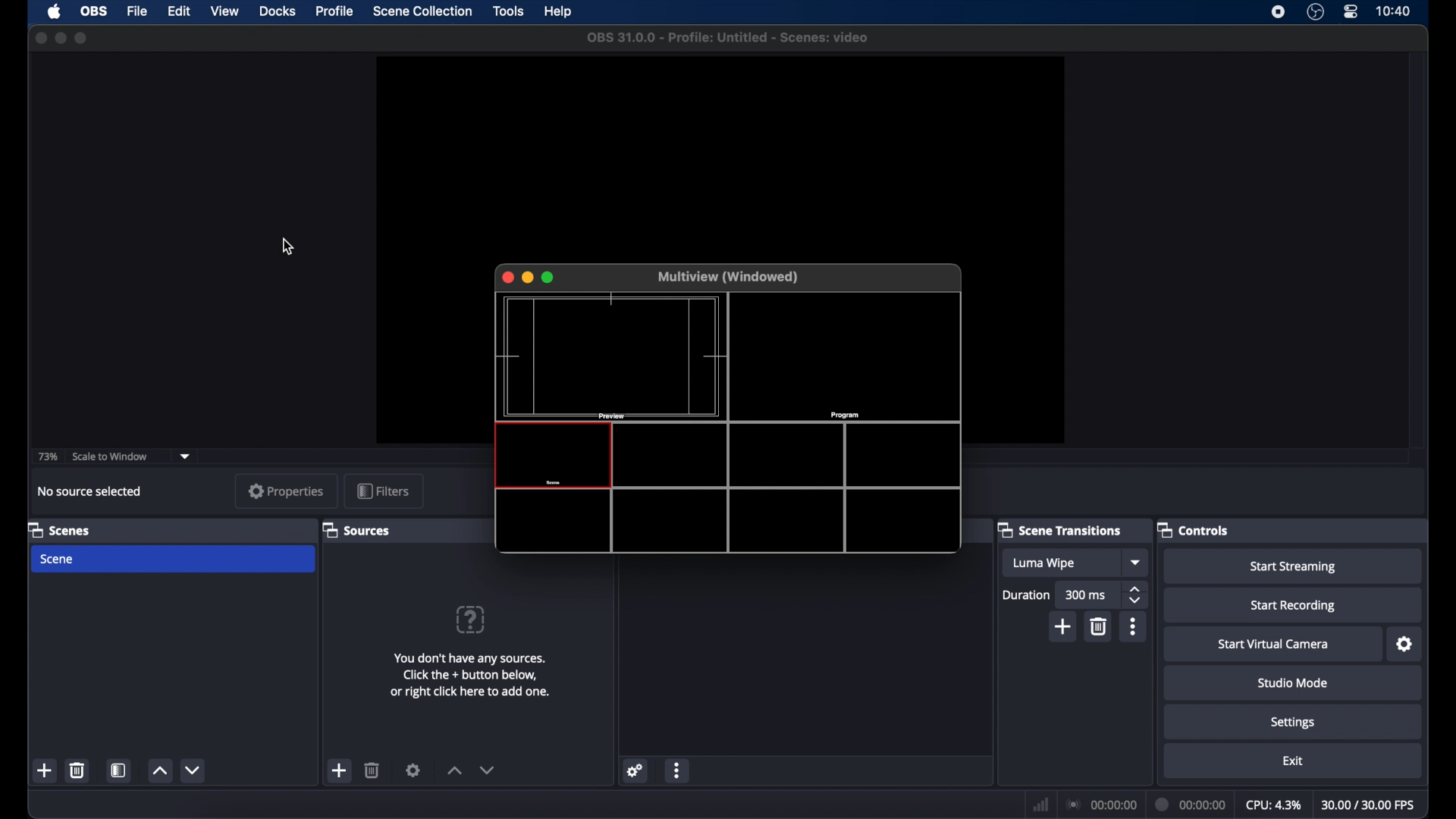  Describe the element at coordinates (159, 770) in the screenshot. I see `increment` at that location.